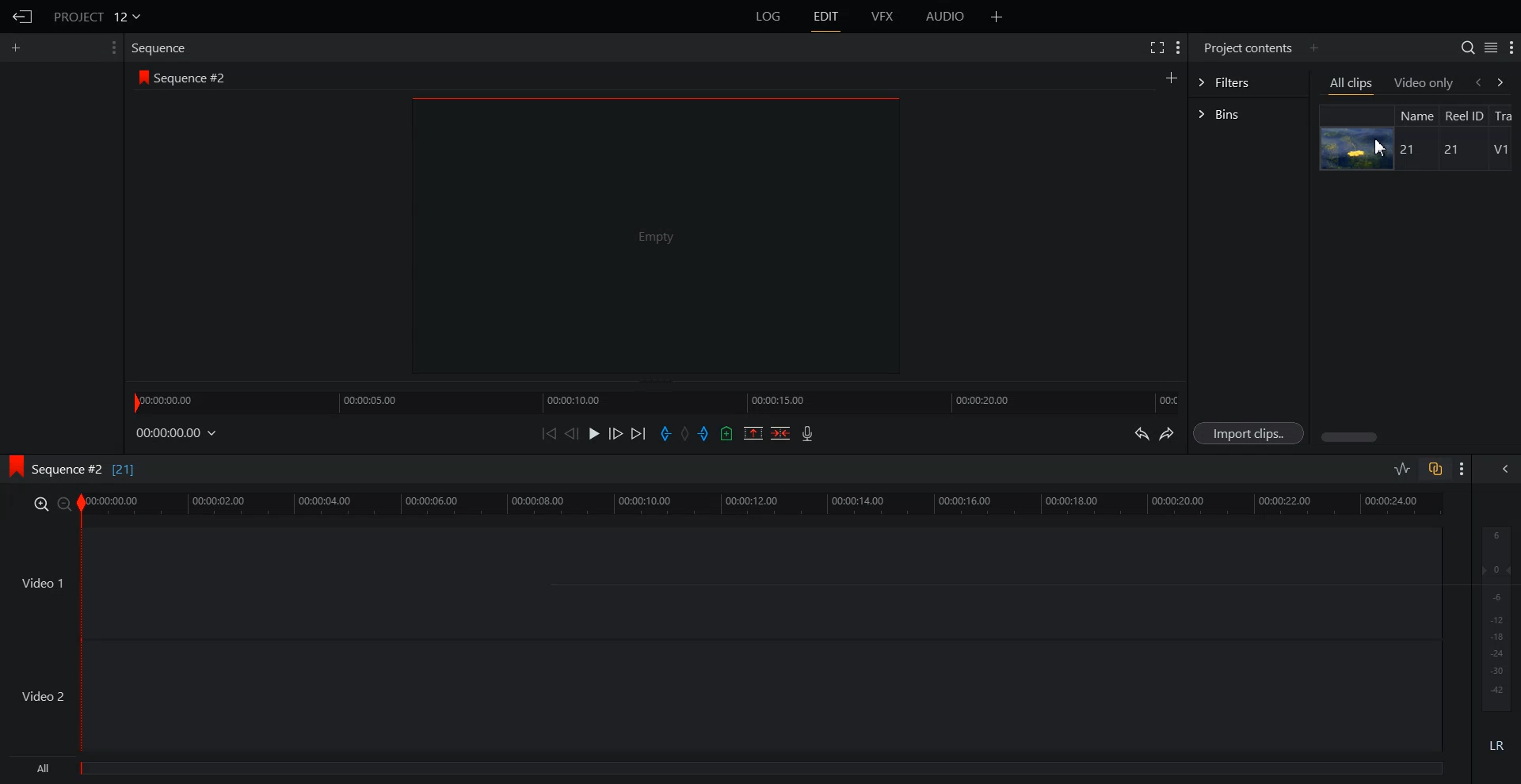 The image size is (1521, 784). I want to click on Video only, so click(1424, 83).